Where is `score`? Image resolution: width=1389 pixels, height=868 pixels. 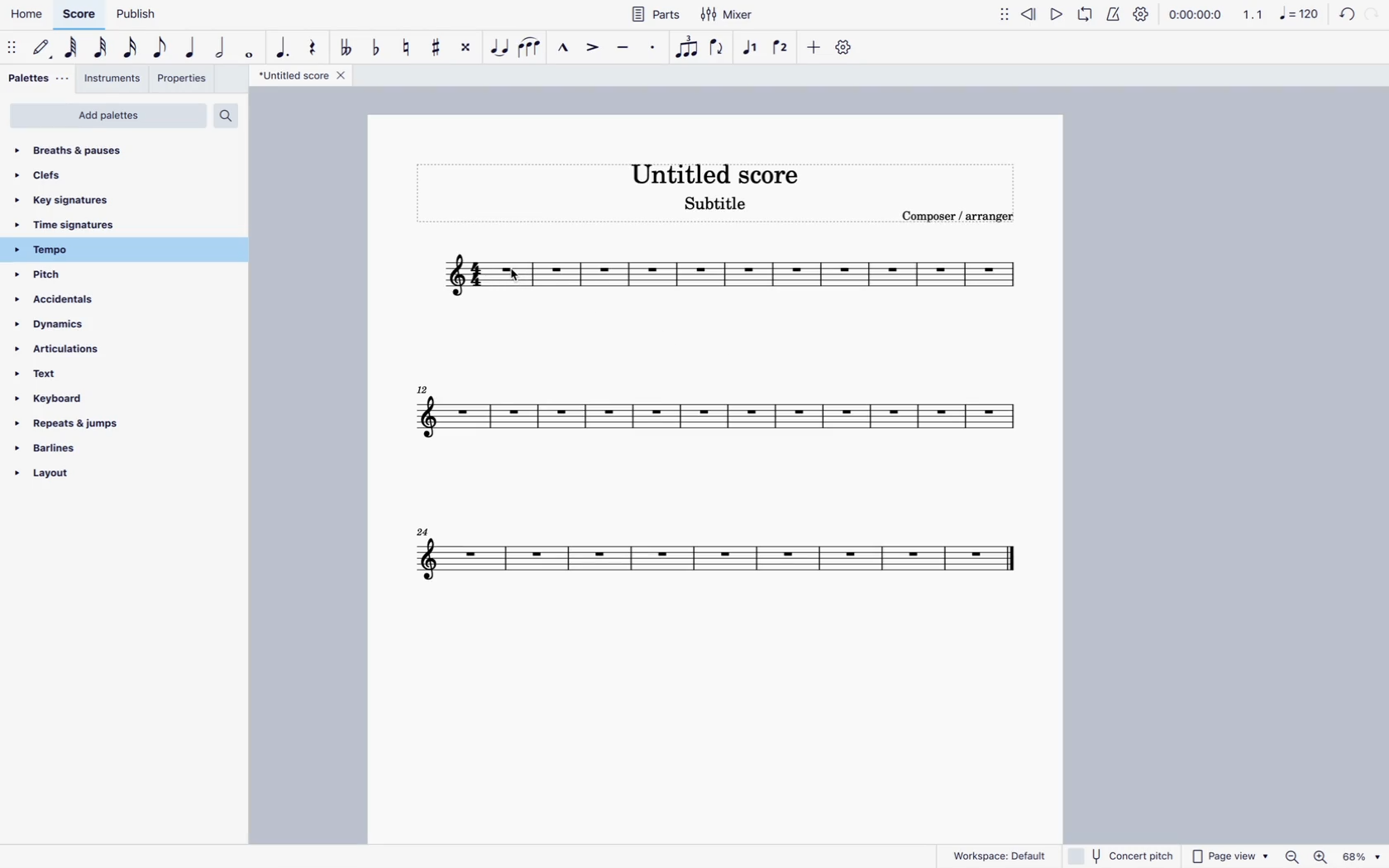 score is located at coordinates (709, 413).